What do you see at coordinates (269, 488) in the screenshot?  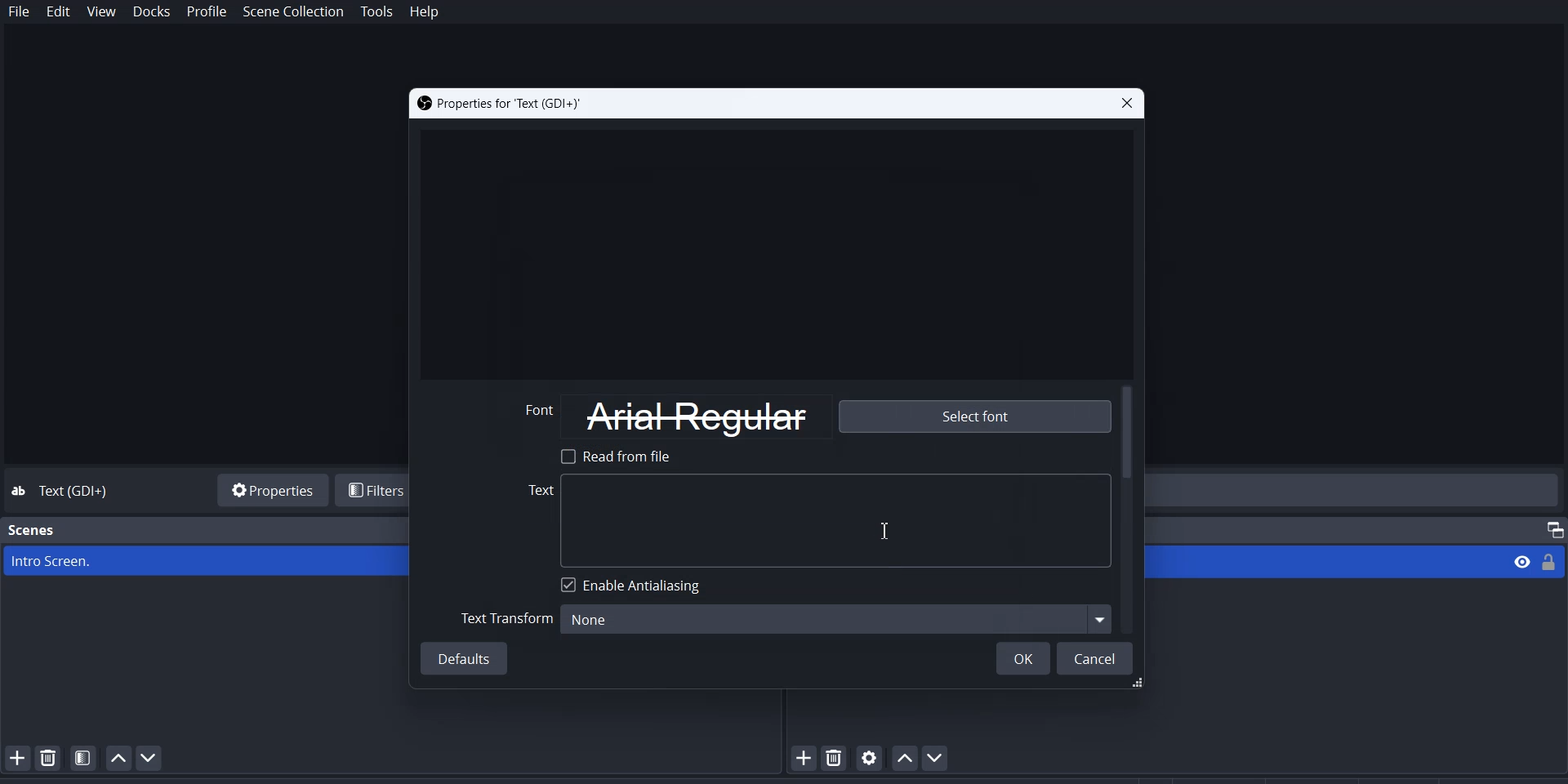 I see `Properties` at bounding box center [269, 488].